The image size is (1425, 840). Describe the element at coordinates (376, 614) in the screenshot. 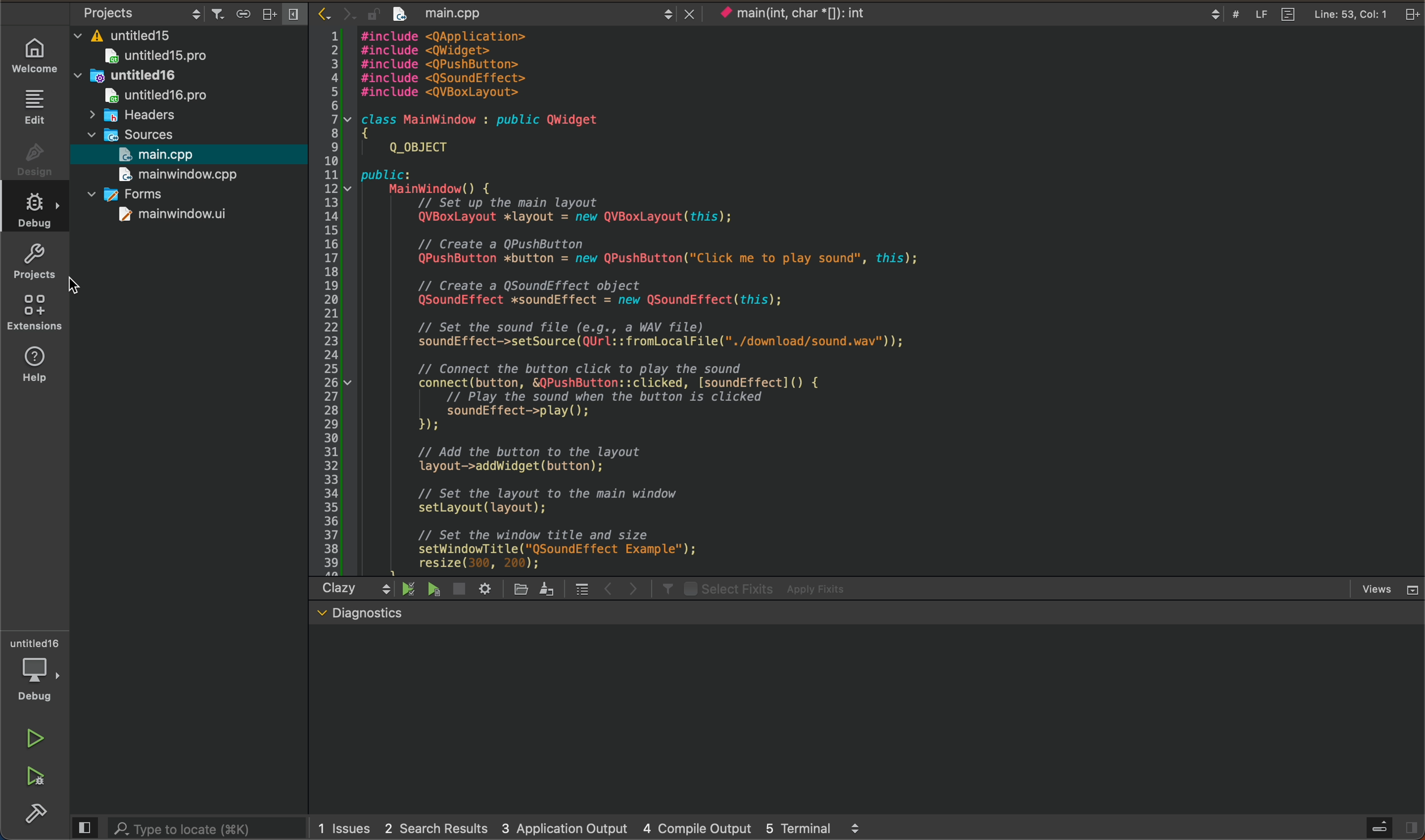

I see `Diagnostic ` at that location.